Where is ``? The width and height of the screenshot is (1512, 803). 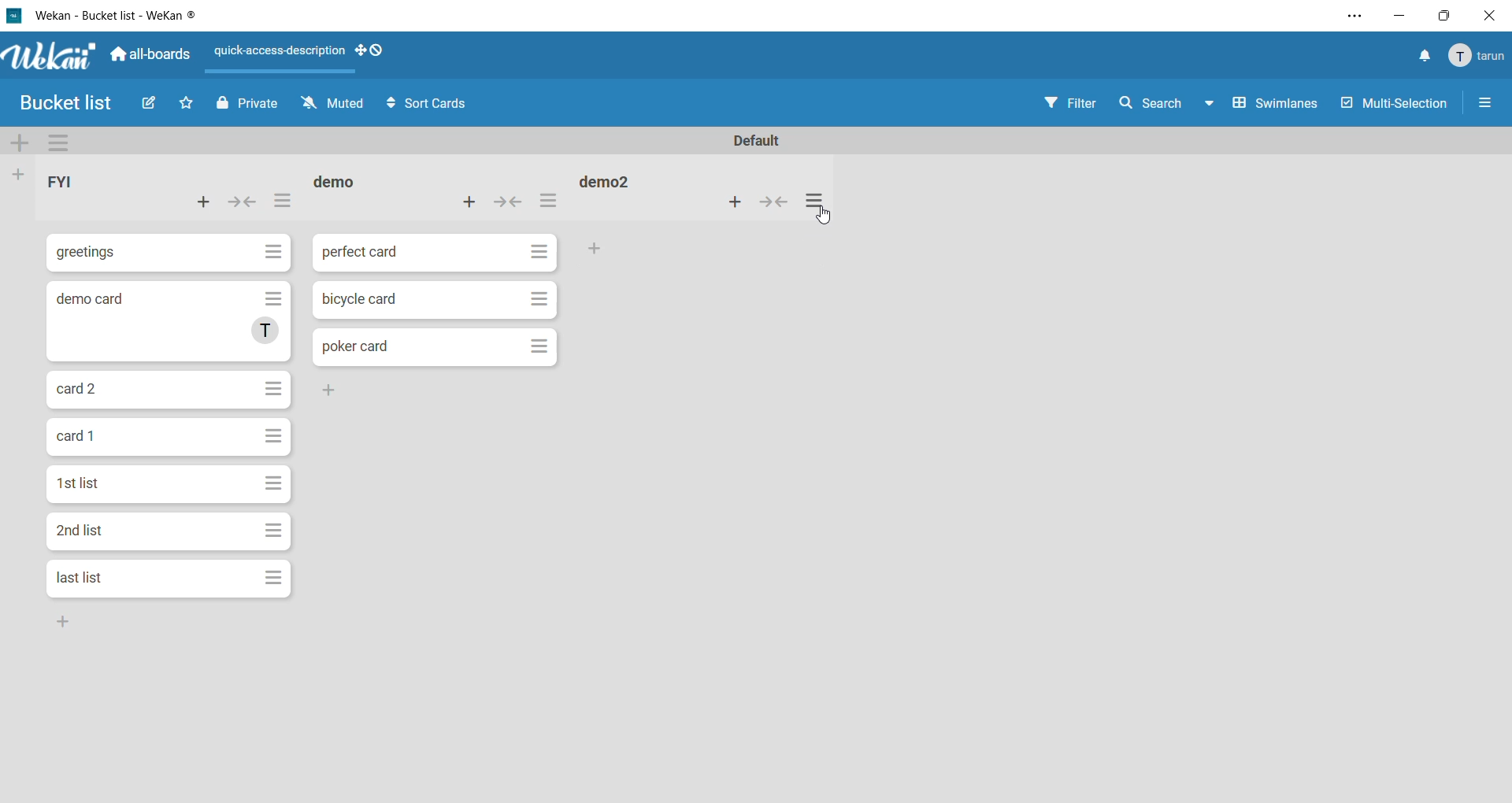  is located at coordinates (339, 390).